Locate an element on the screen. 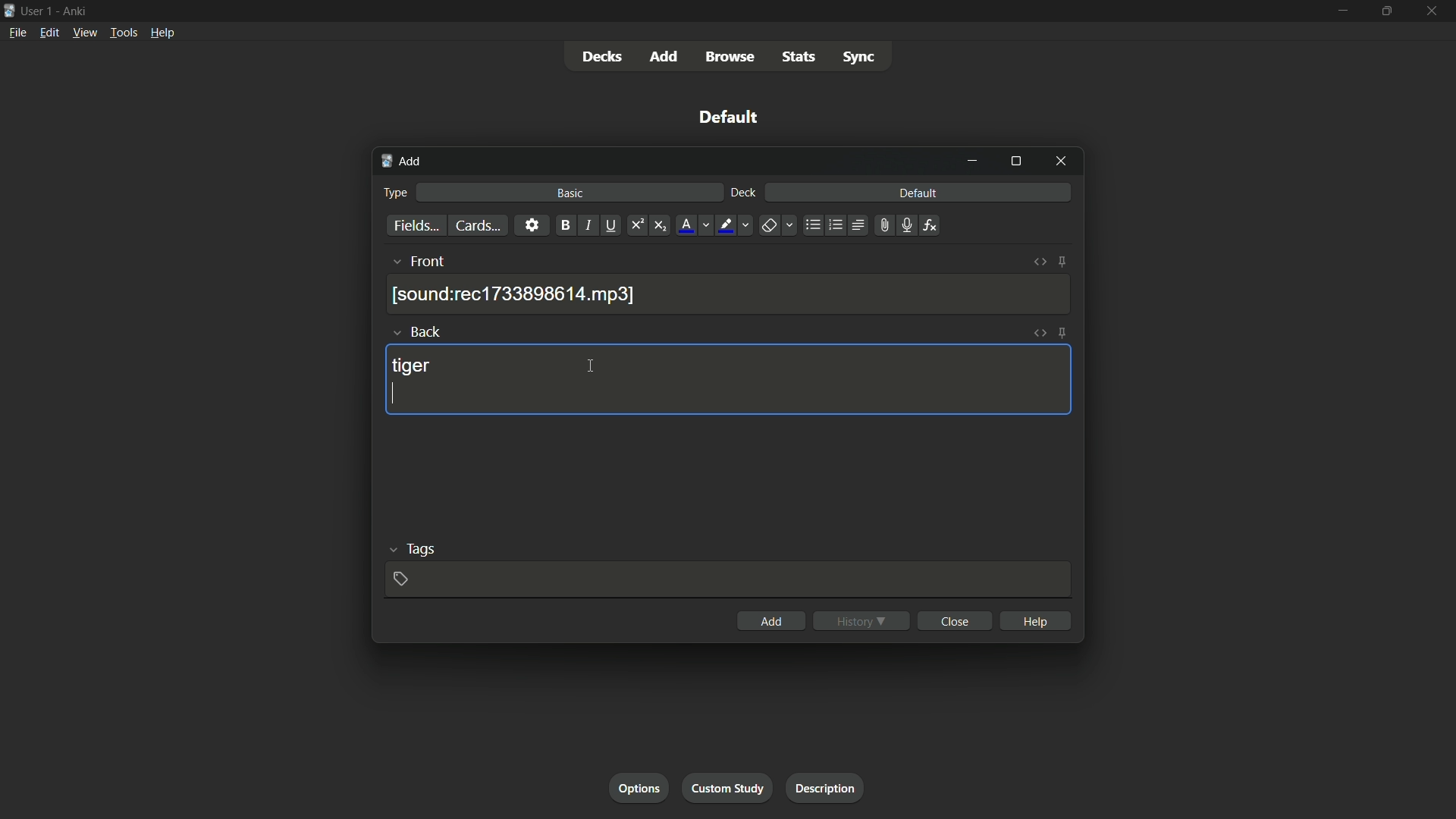 The height and width of the screenshot is (819, 1456). stats is located at coordinates (802, 58).